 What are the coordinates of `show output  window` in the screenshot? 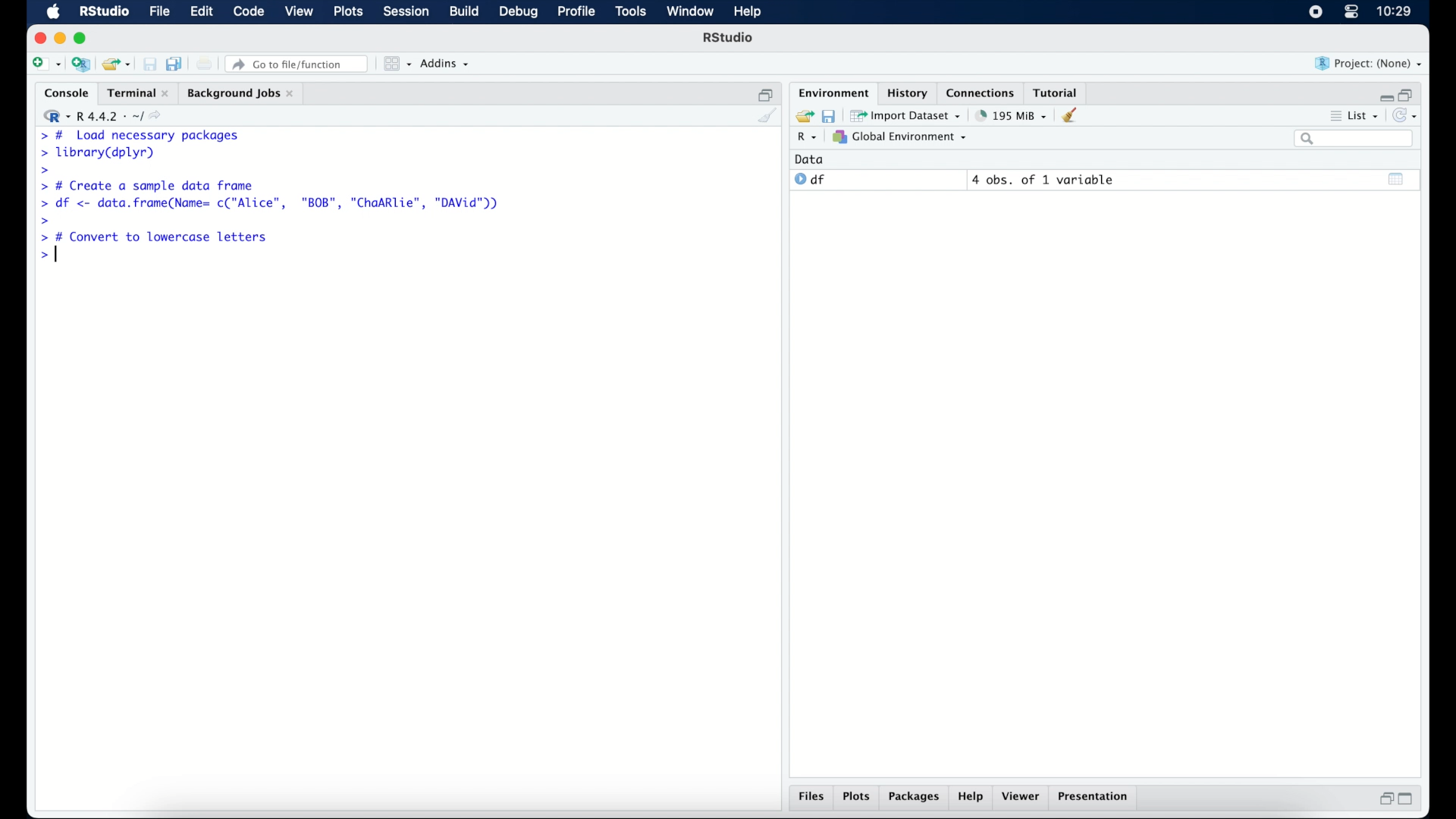 It's located at (1397, 178).